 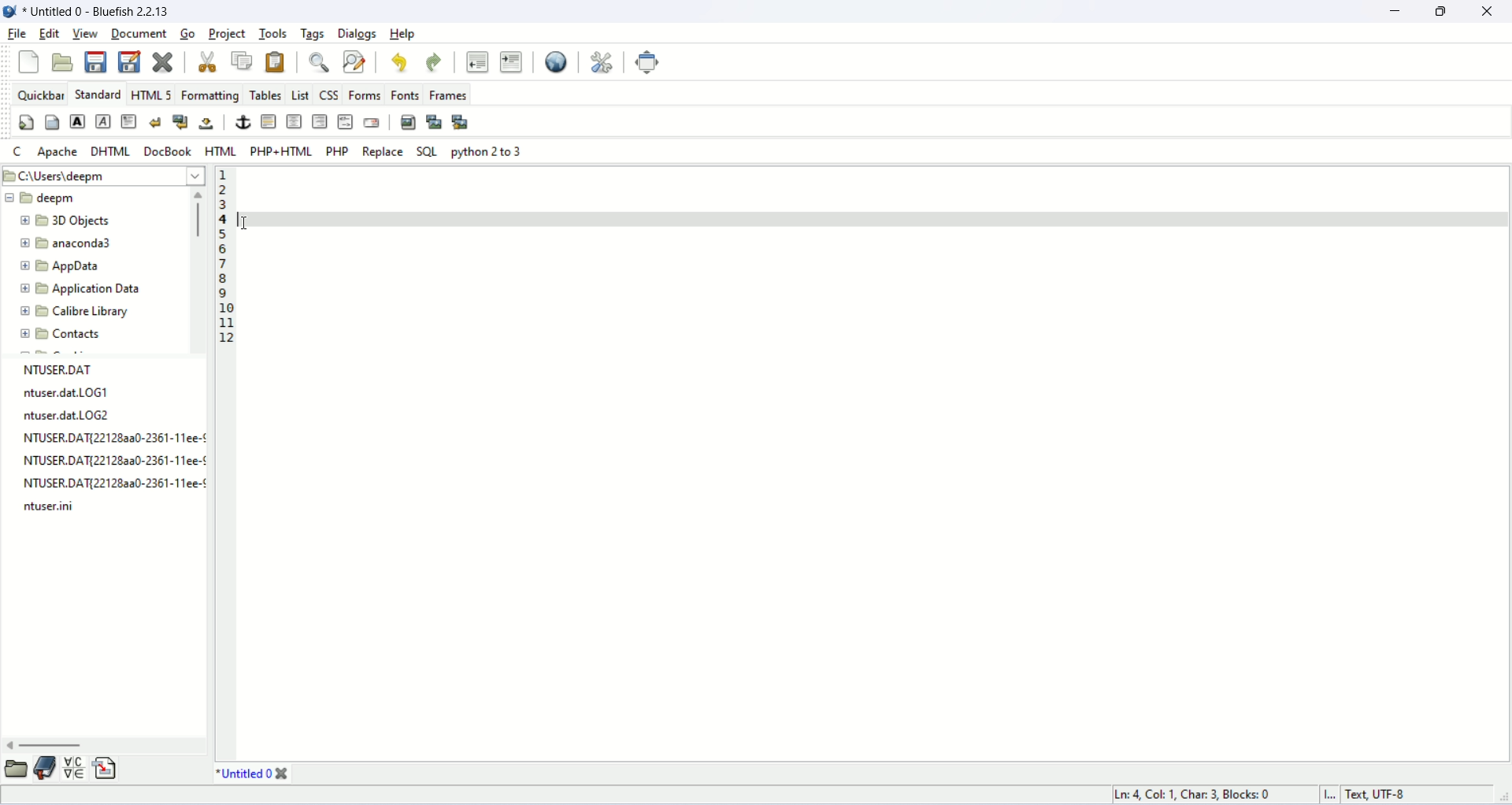 I want to click on fullscreen, so click(x=648, y=61).